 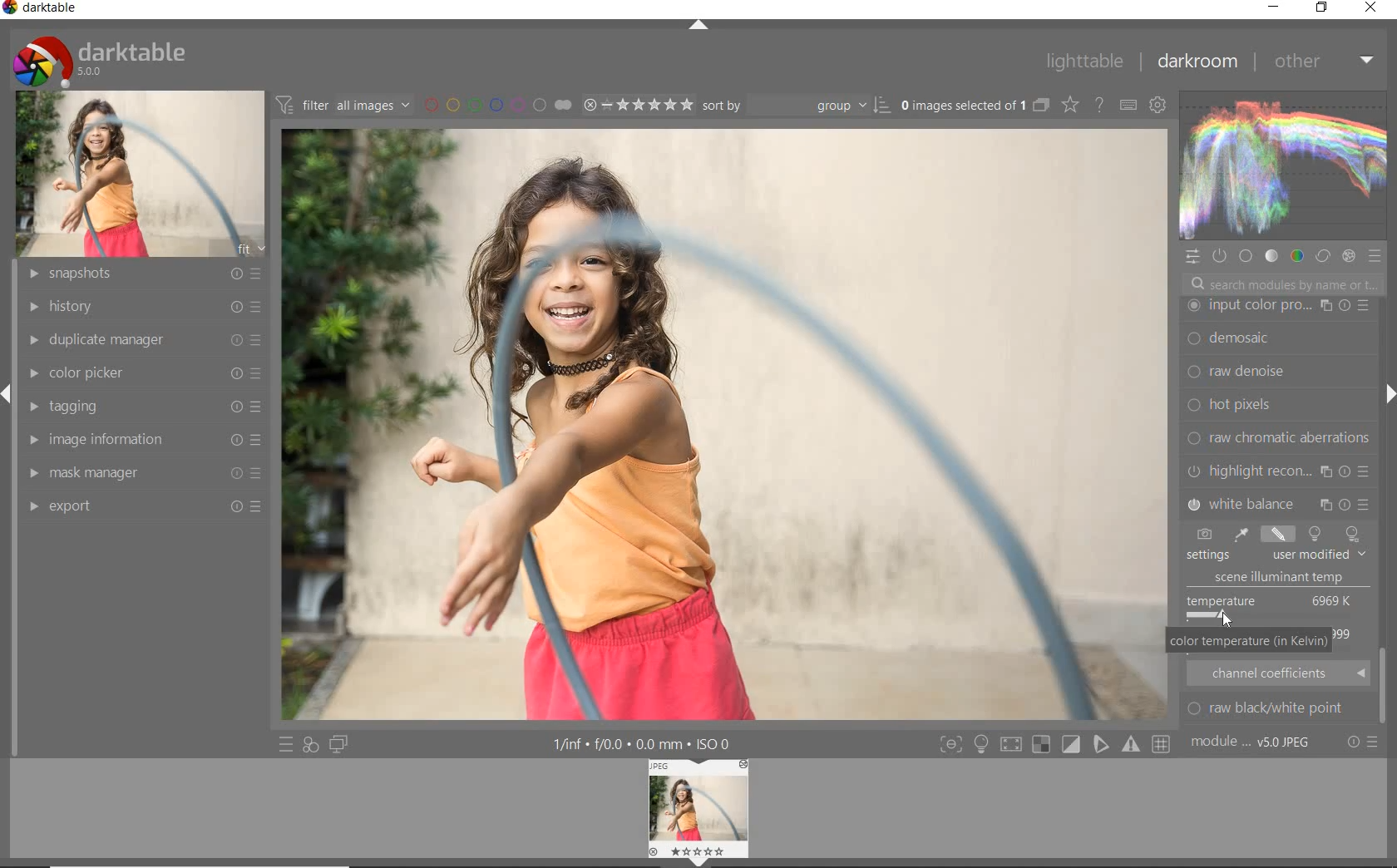 What do you see at coordinates (1200, 62) in the screenshot?
I see `darkroom` at bounding box center [1200, 62].